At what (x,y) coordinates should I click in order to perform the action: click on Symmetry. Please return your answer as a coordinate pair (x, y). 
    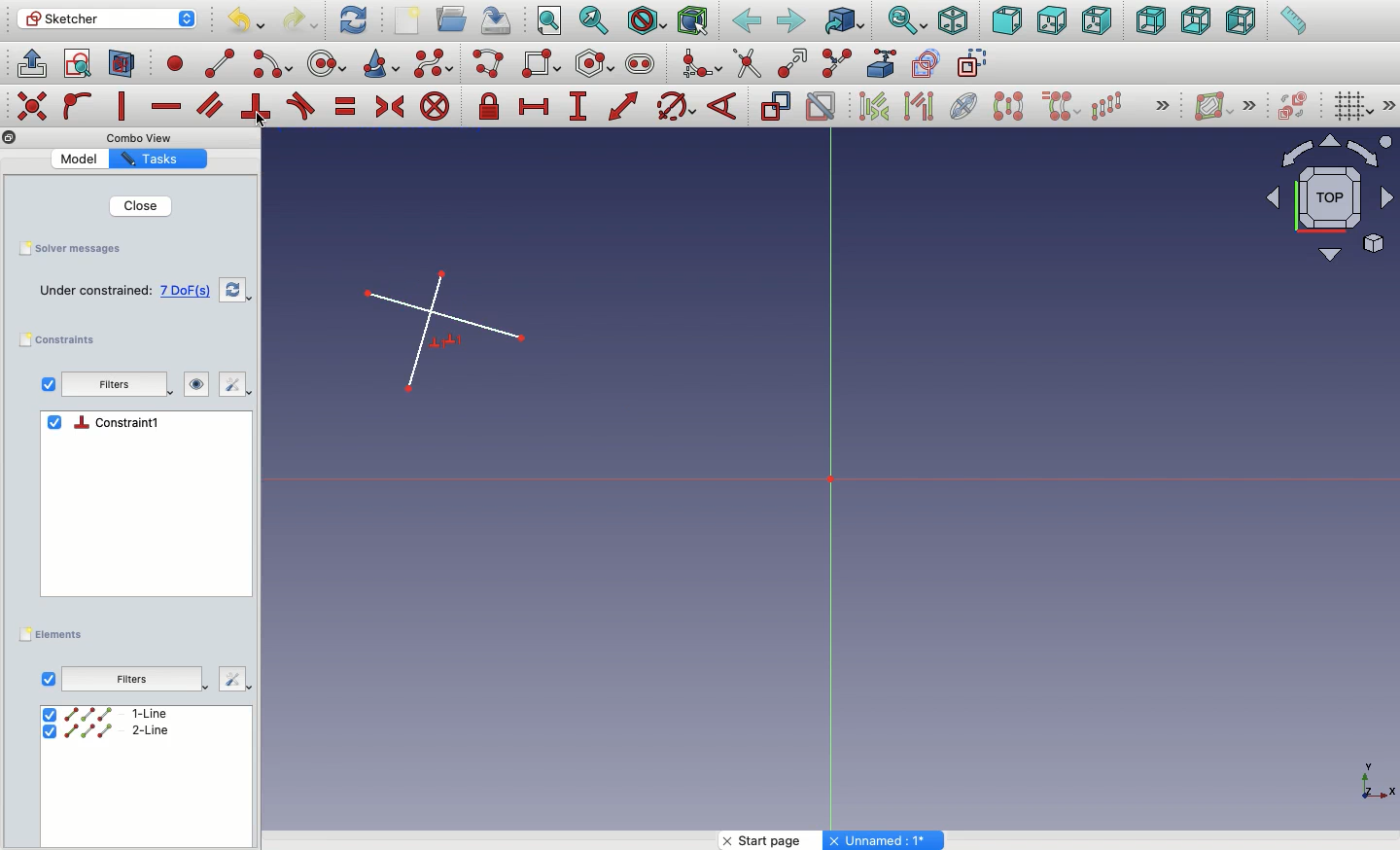
    Looking at the image, I should click on (1007, 106).